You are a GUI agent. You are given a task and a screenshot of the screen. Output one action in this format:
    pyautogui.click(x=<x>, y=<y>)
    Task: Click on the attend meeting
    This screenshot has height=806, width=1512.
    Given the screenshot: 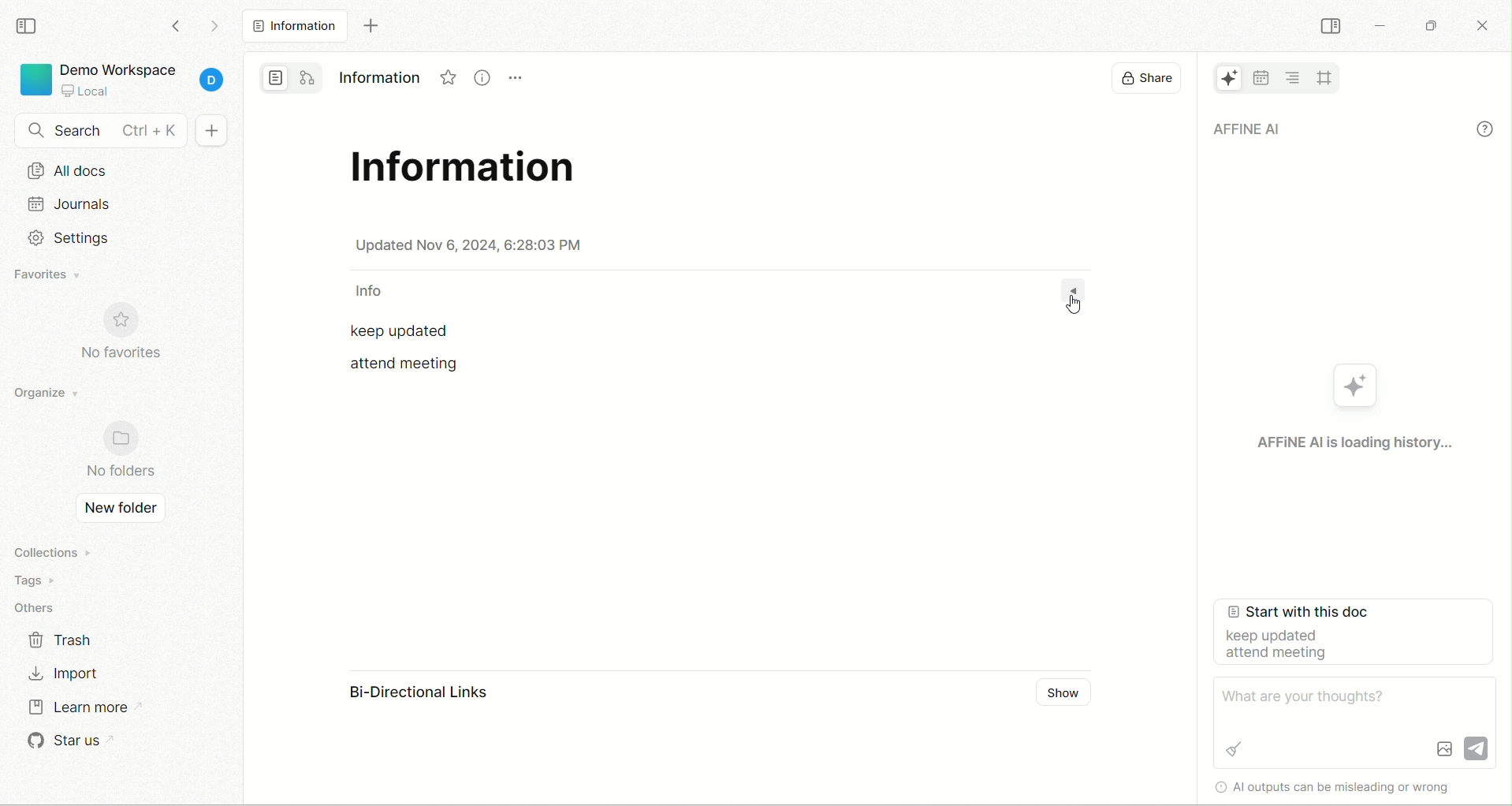 What is the action you would take?
    pyautogui.click(x=405, y=366)
    